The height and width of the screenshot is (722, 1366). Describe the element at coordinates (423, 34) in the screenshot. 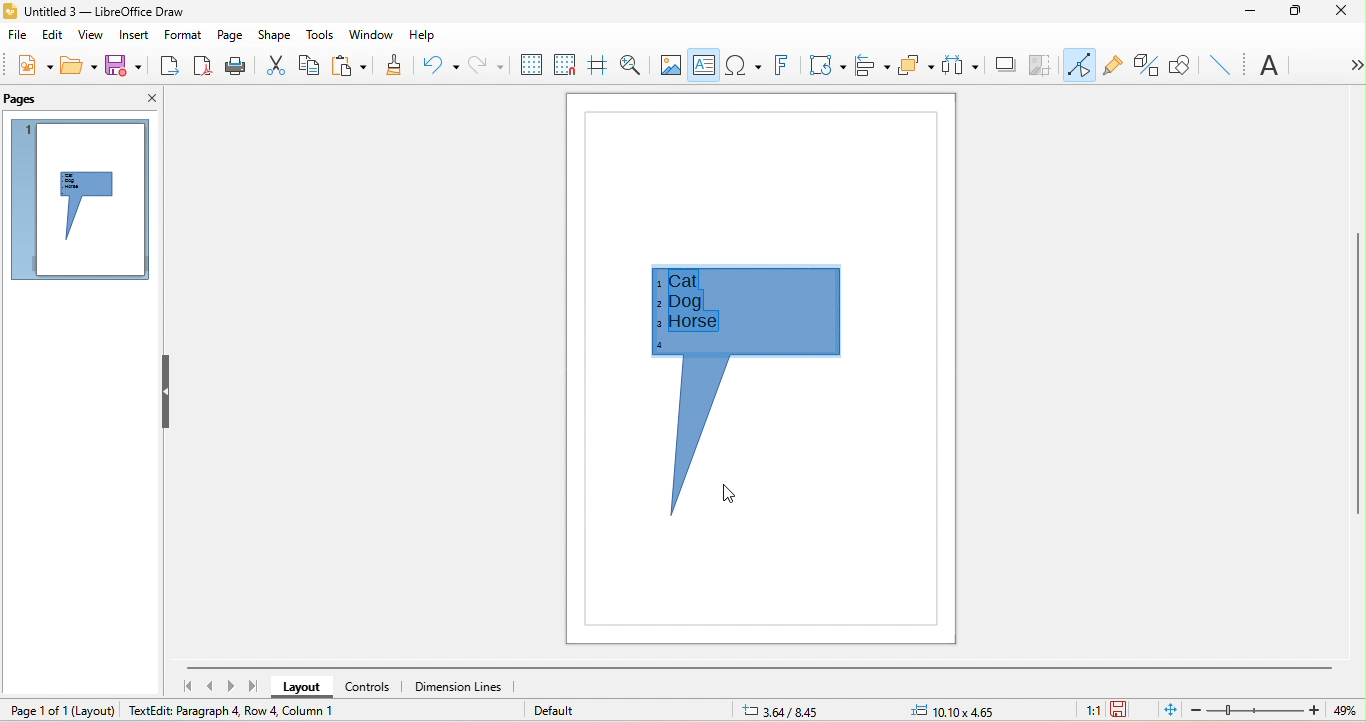

I see `help` at that location.